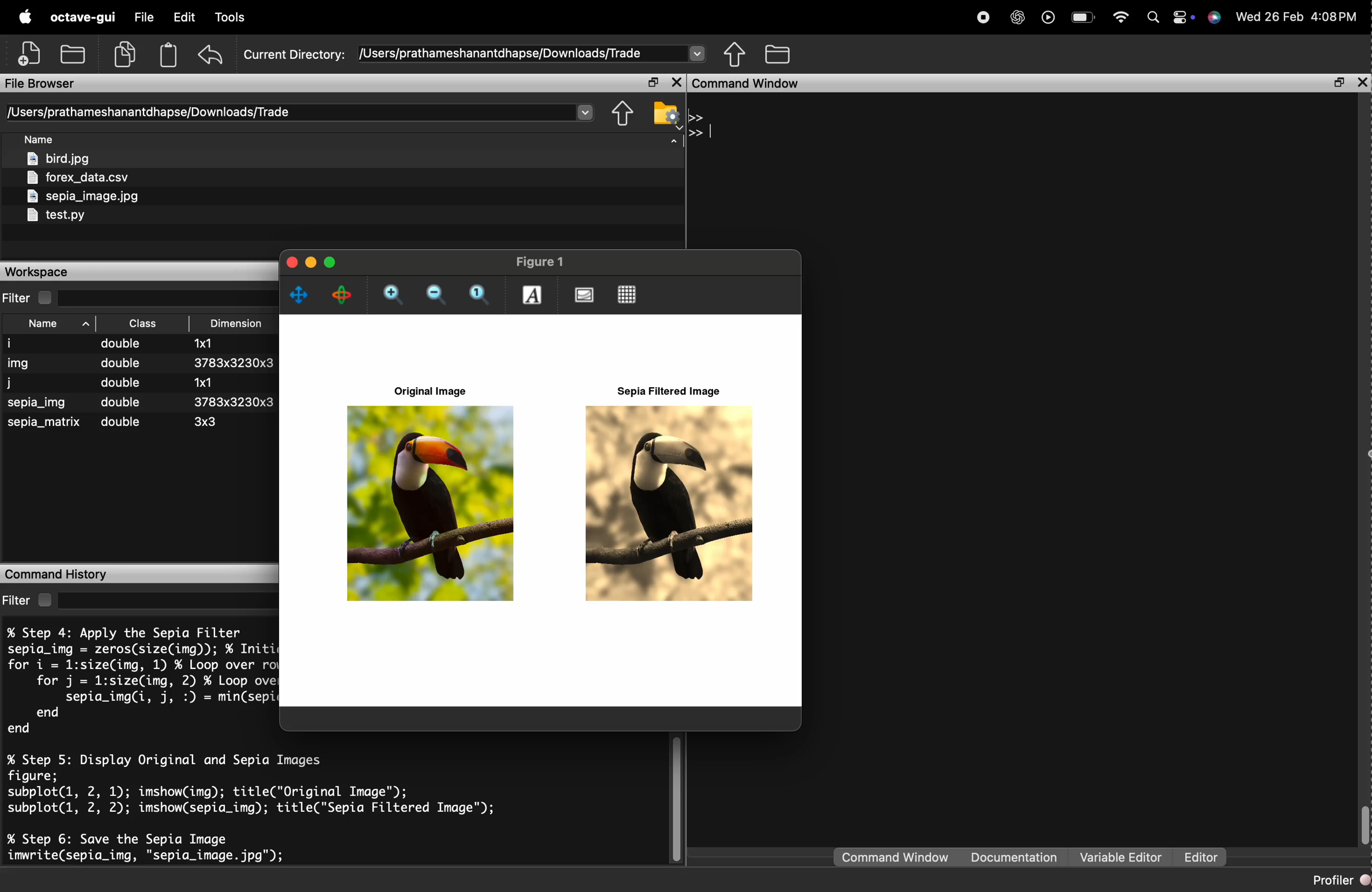  I want to click on share, so click(624, 114).